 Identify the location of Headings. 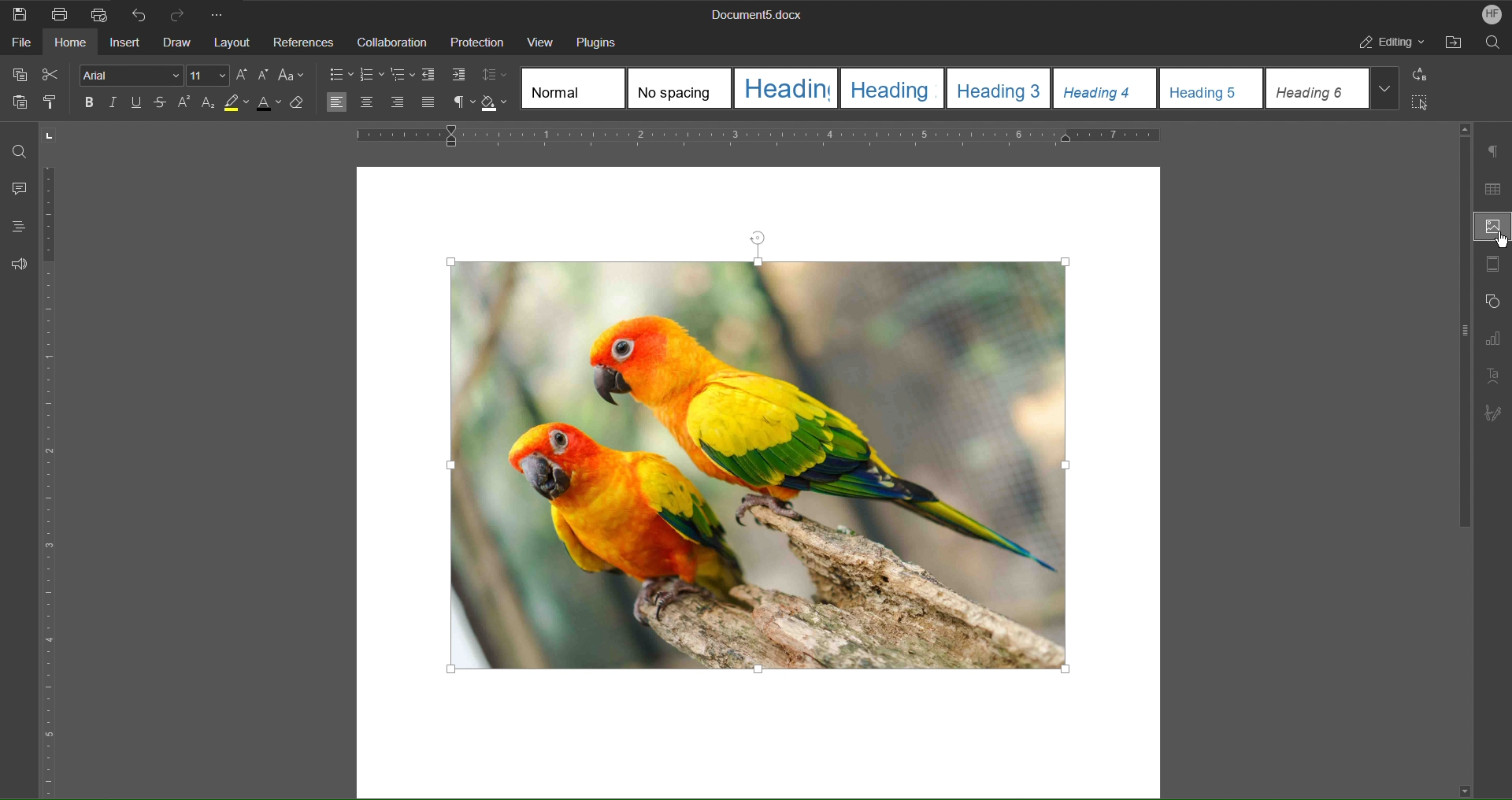
(13, 227).